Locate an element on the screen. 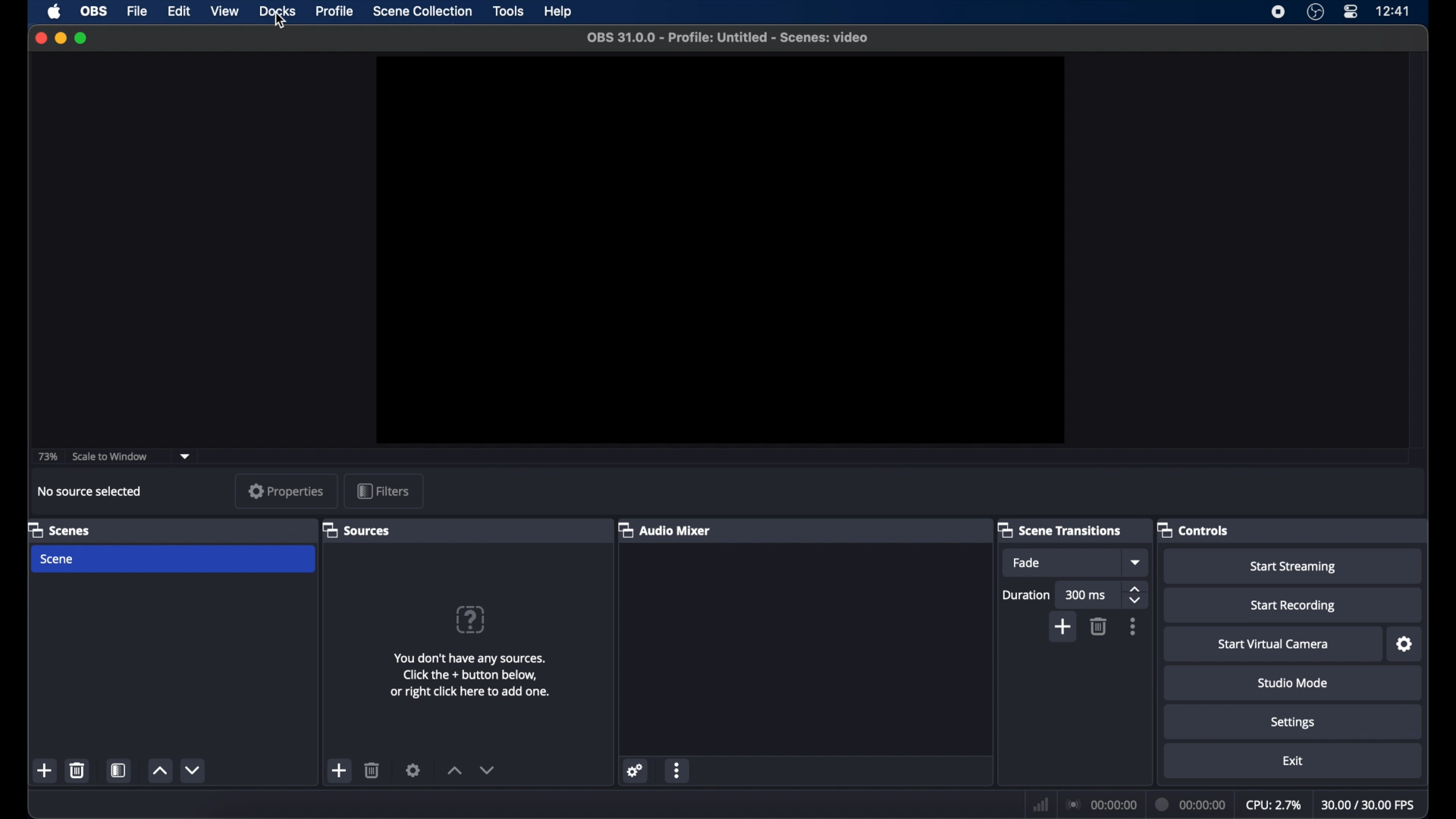  duration is located at coordinates (1027, 595).